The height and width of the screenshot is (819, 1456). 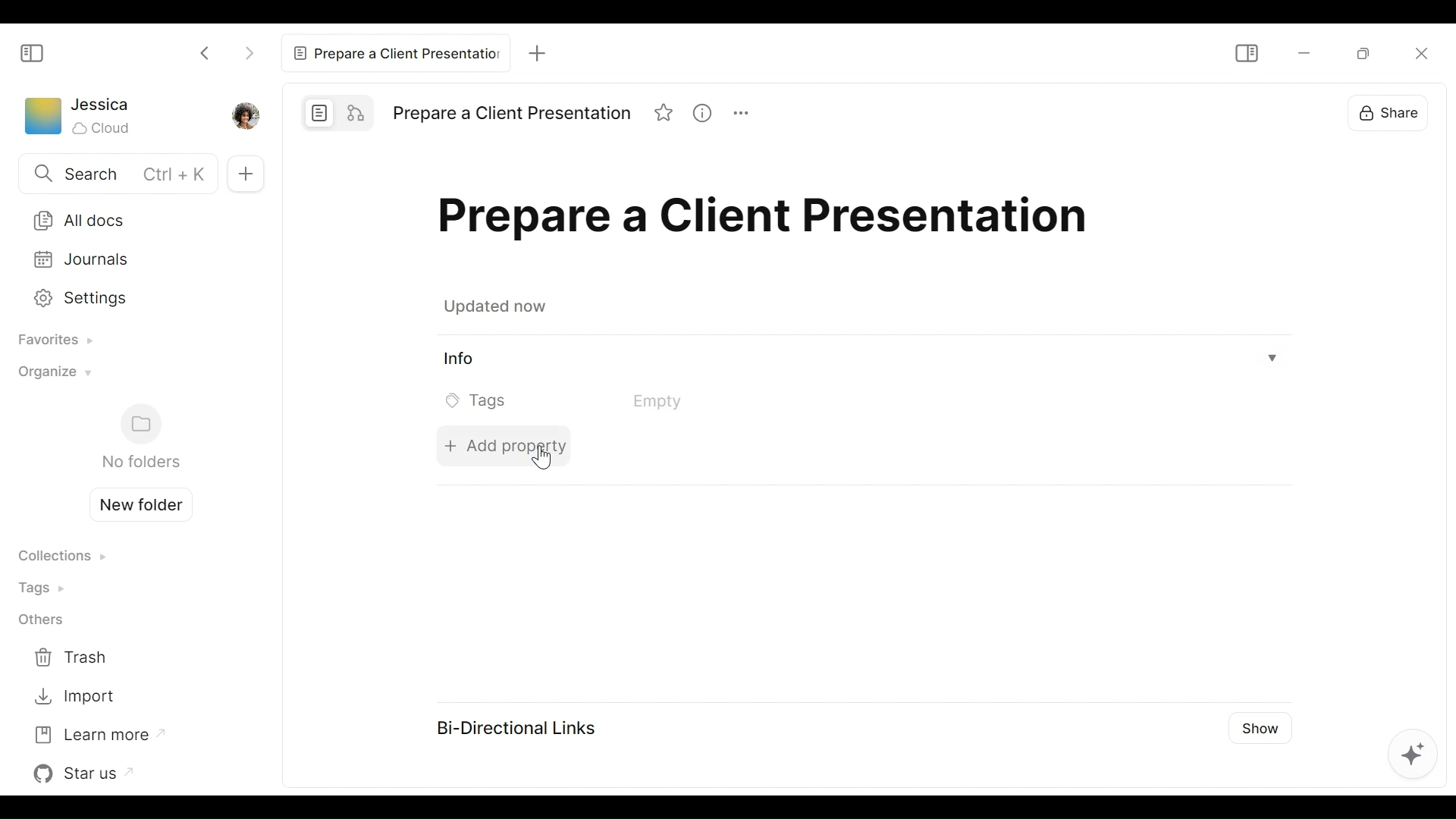 I want to click on Close, so click(x=1419, y=52).